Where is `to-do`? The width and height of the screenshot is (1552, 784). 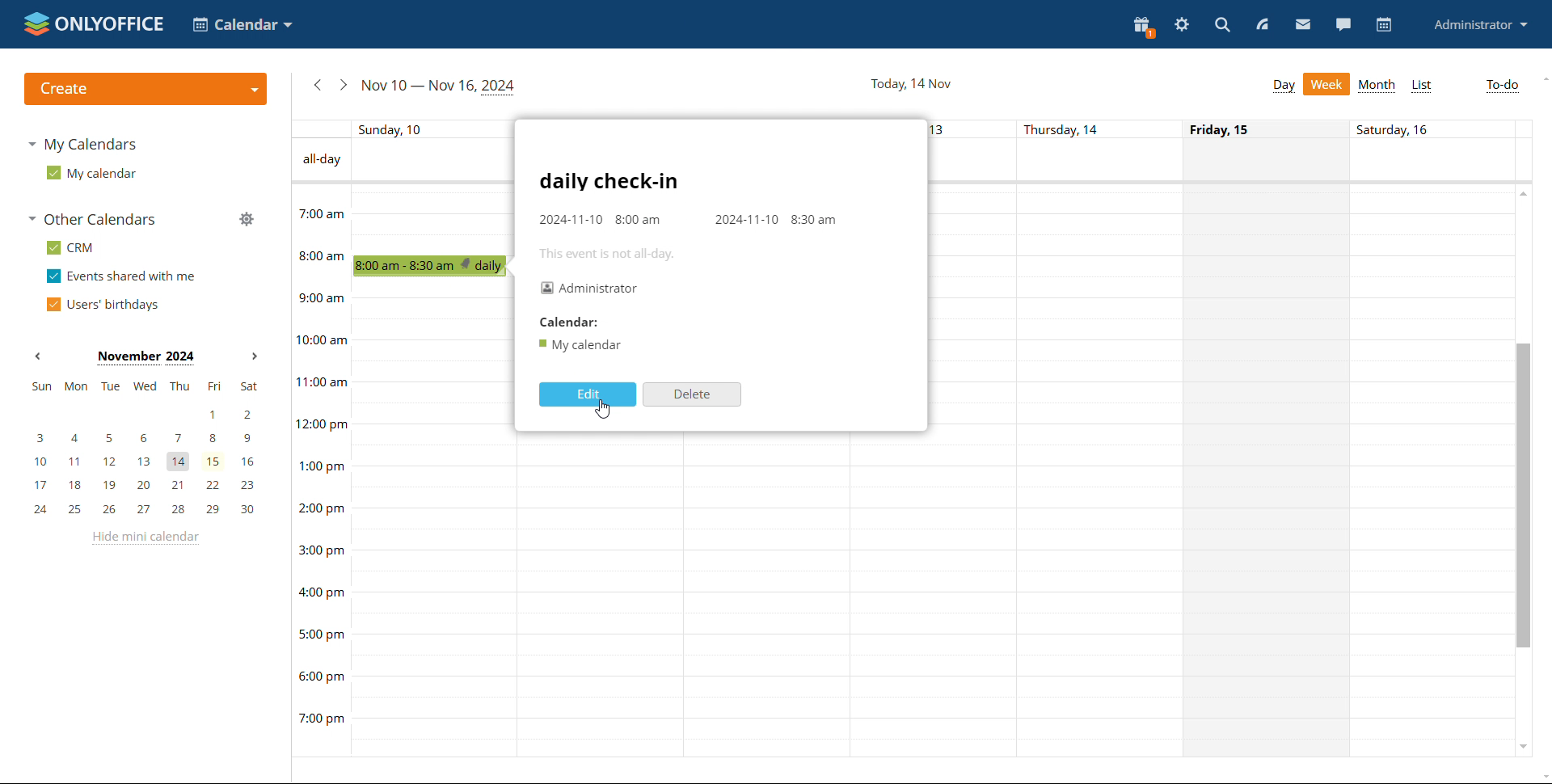
to-do is located at coordinates (1500, 86).